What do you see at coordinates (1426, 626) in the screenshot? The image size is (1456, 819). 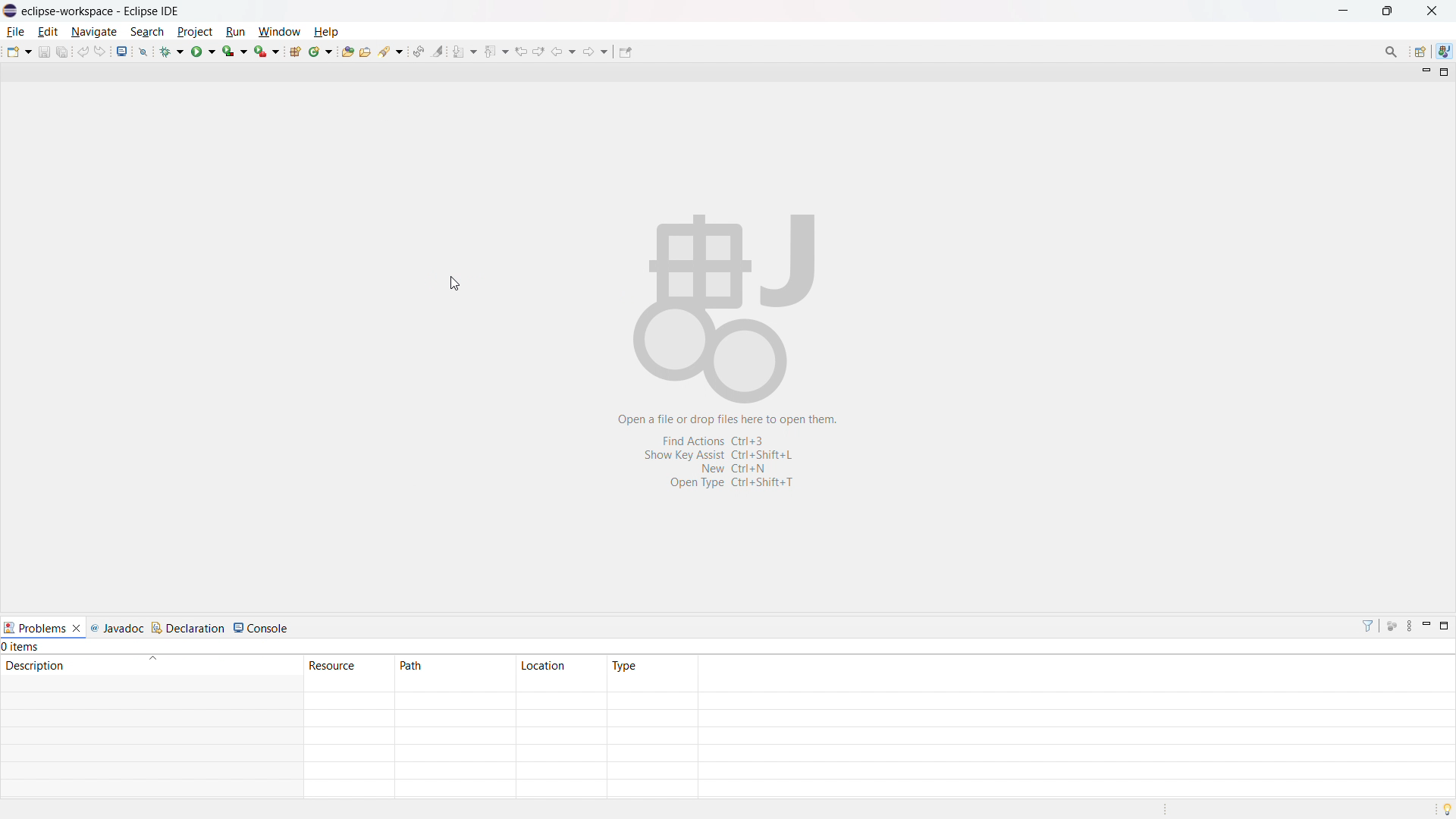 I see `Minimize Window Button` at bounding box center [1426, 626].